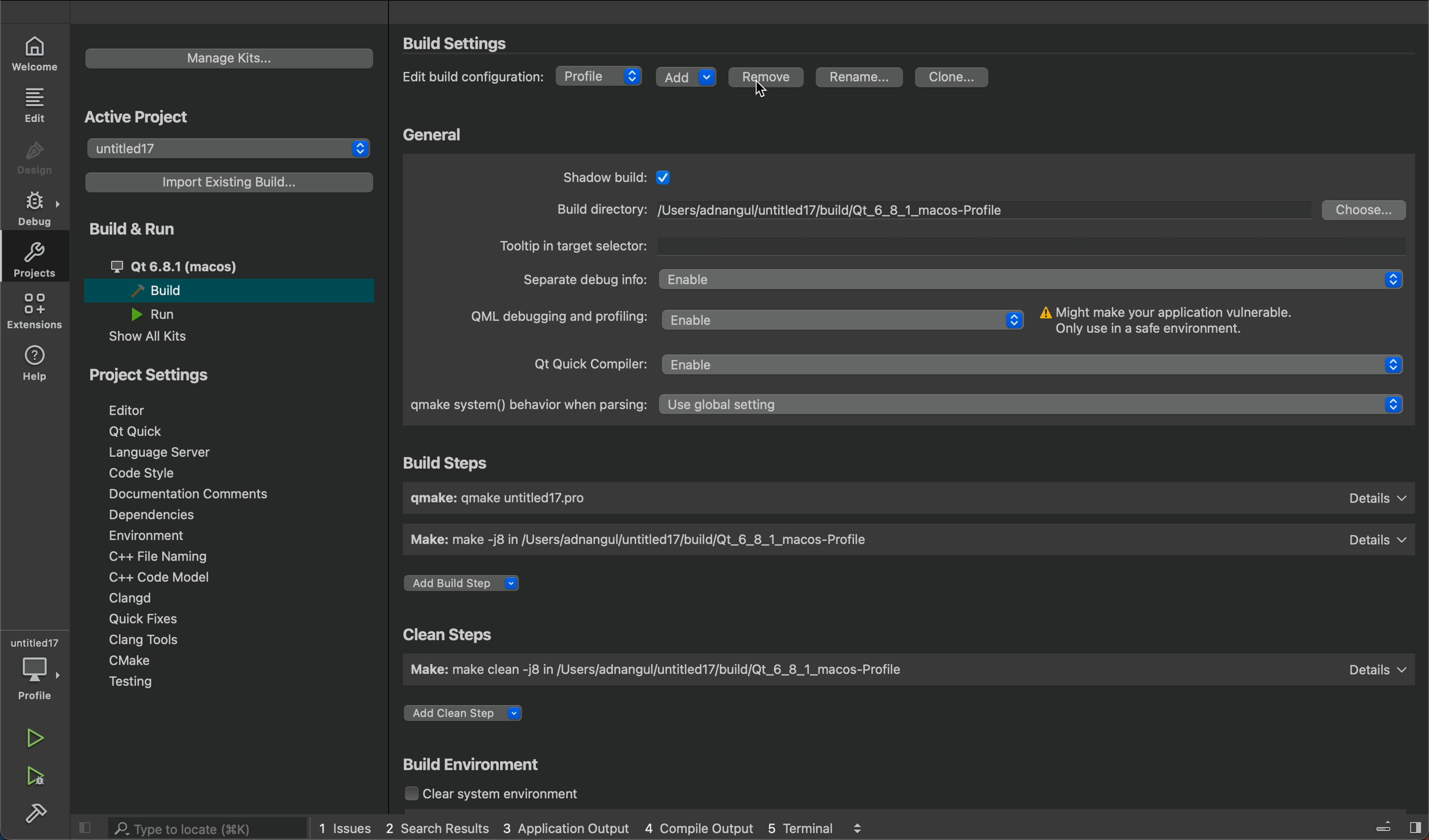 The image size is (1429, 840). I want to click on clone, so click(954, 77).